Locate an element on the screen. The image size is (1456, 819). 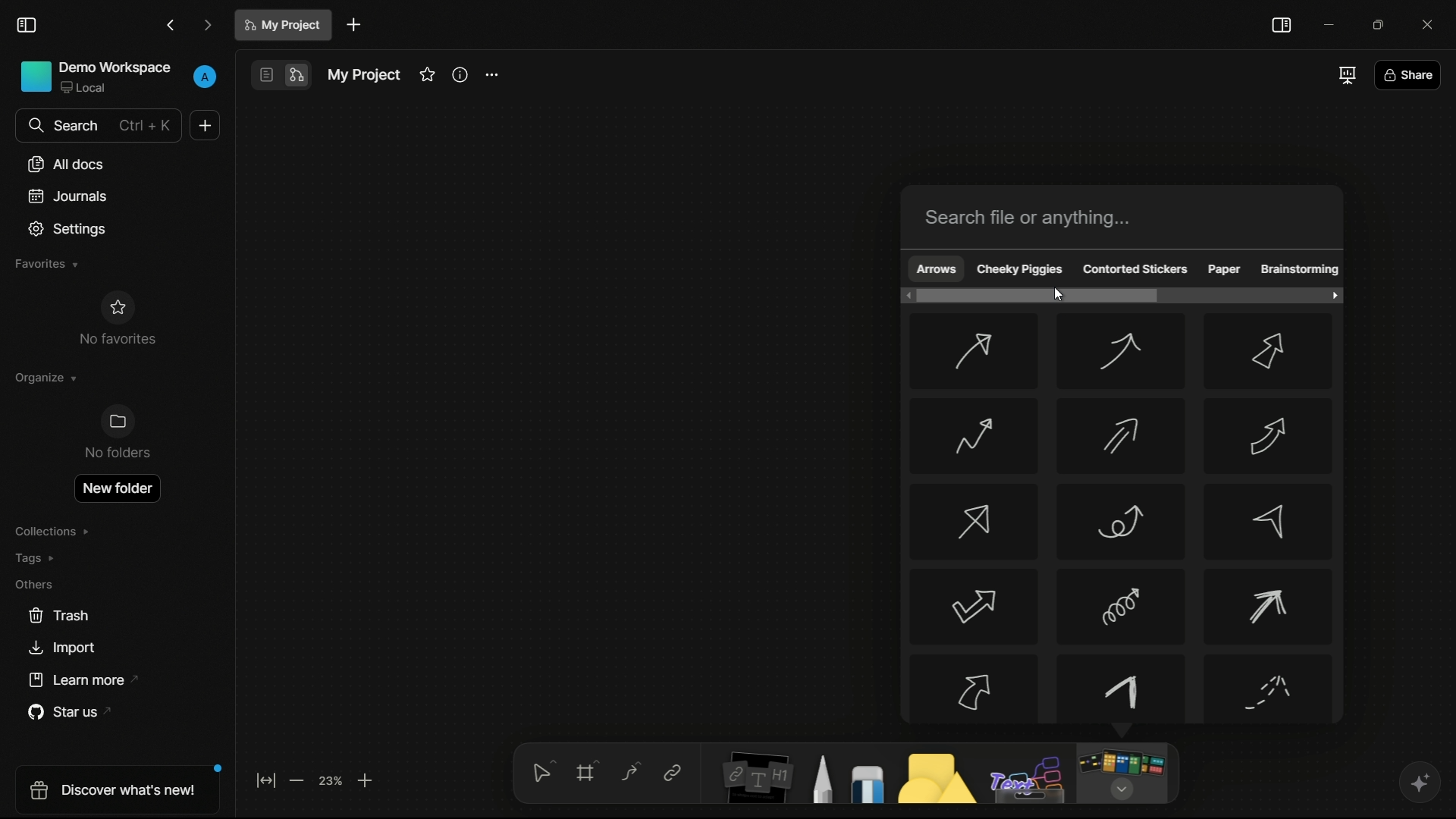
arrow-7 is located at coordinates (974, 521).